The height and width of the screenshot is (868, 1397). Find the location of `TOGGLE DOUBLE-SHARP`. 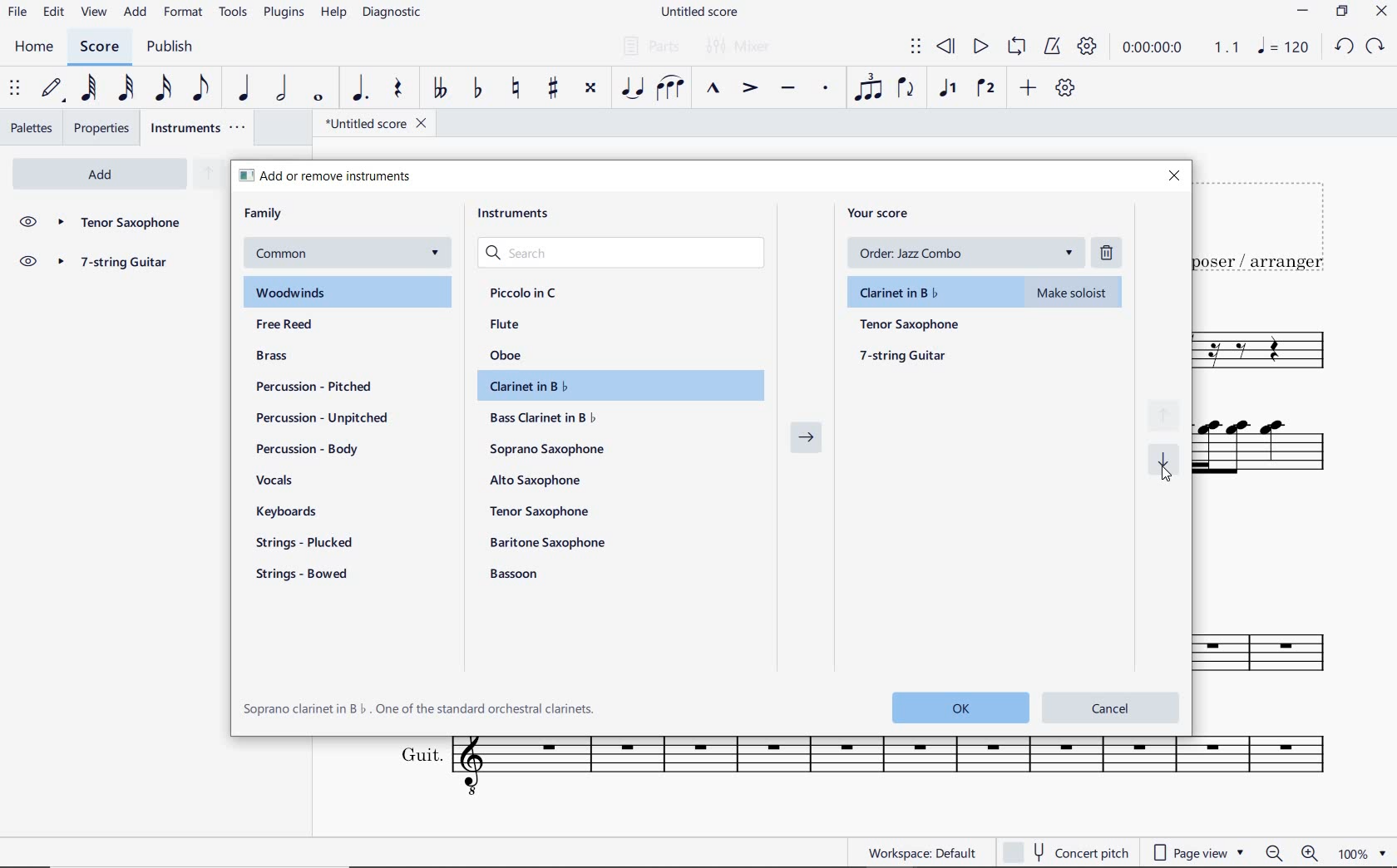

TOGGLE DOUBLE-SHARP is located at coordinates (590, 90).